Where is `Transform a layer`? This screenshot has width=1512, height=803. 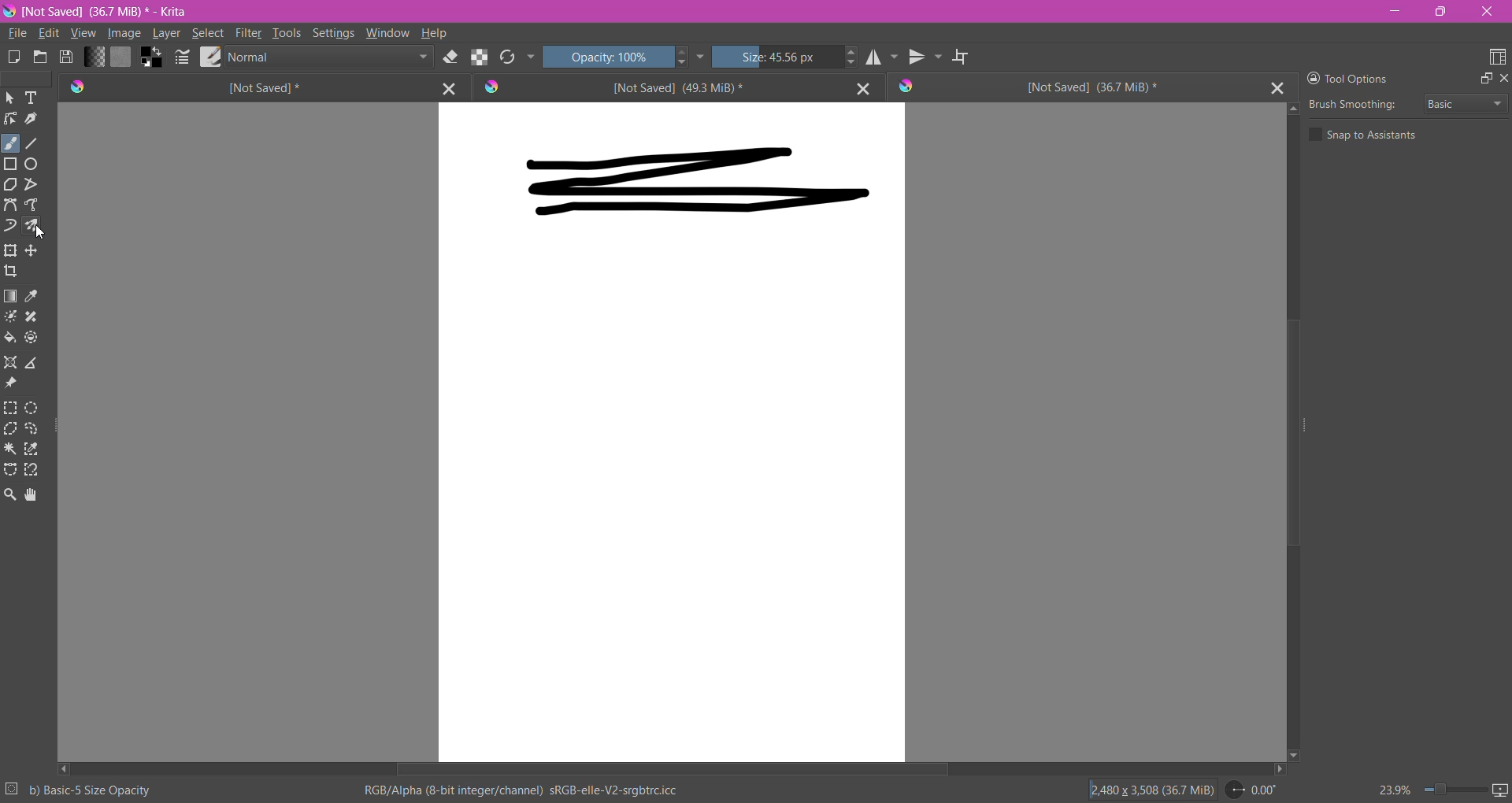 Transform a layer is located at coordinates (35, 250).